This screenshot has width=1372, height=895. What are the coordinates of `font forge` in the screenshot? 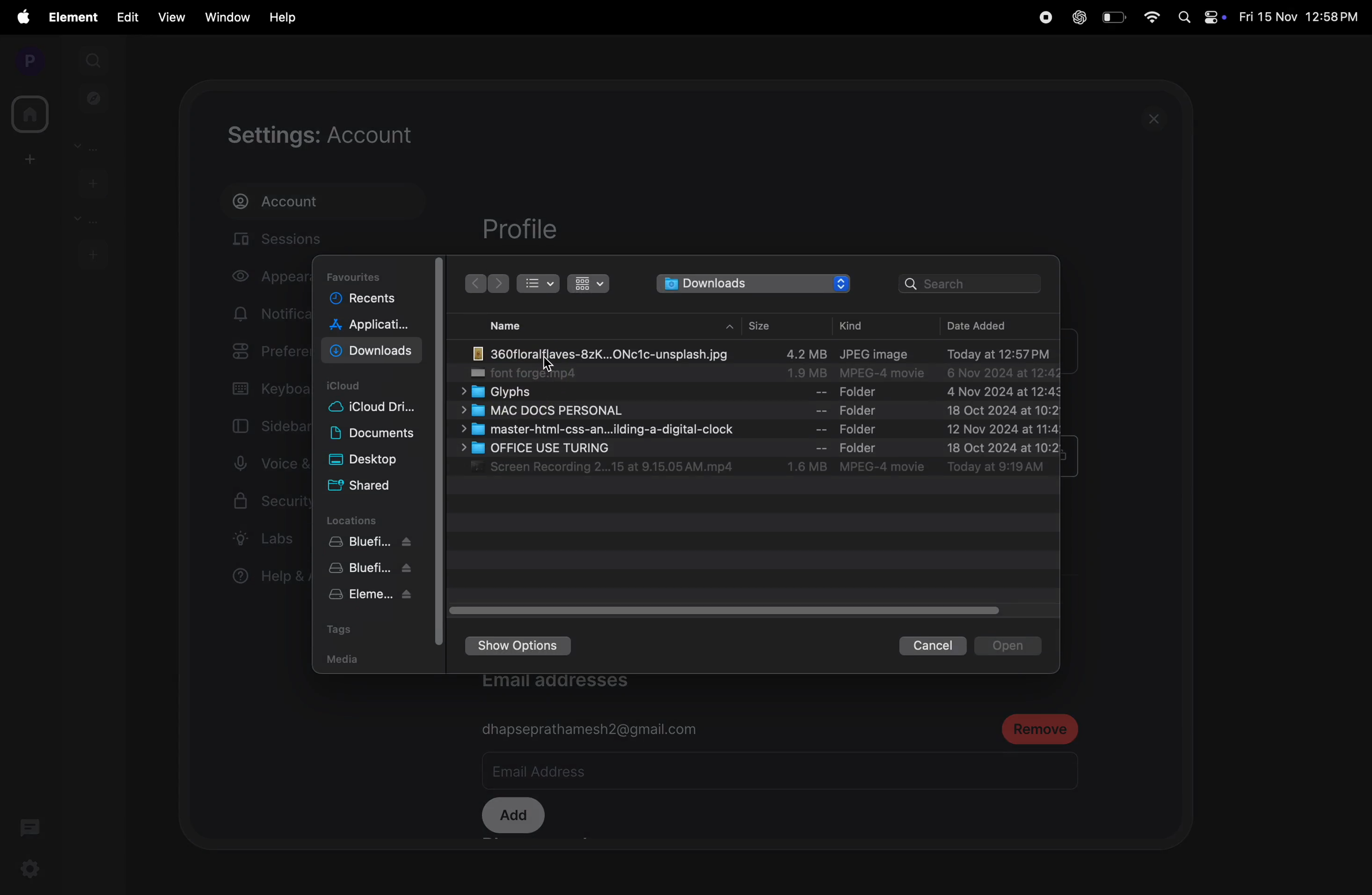 It's located at (760, 374).